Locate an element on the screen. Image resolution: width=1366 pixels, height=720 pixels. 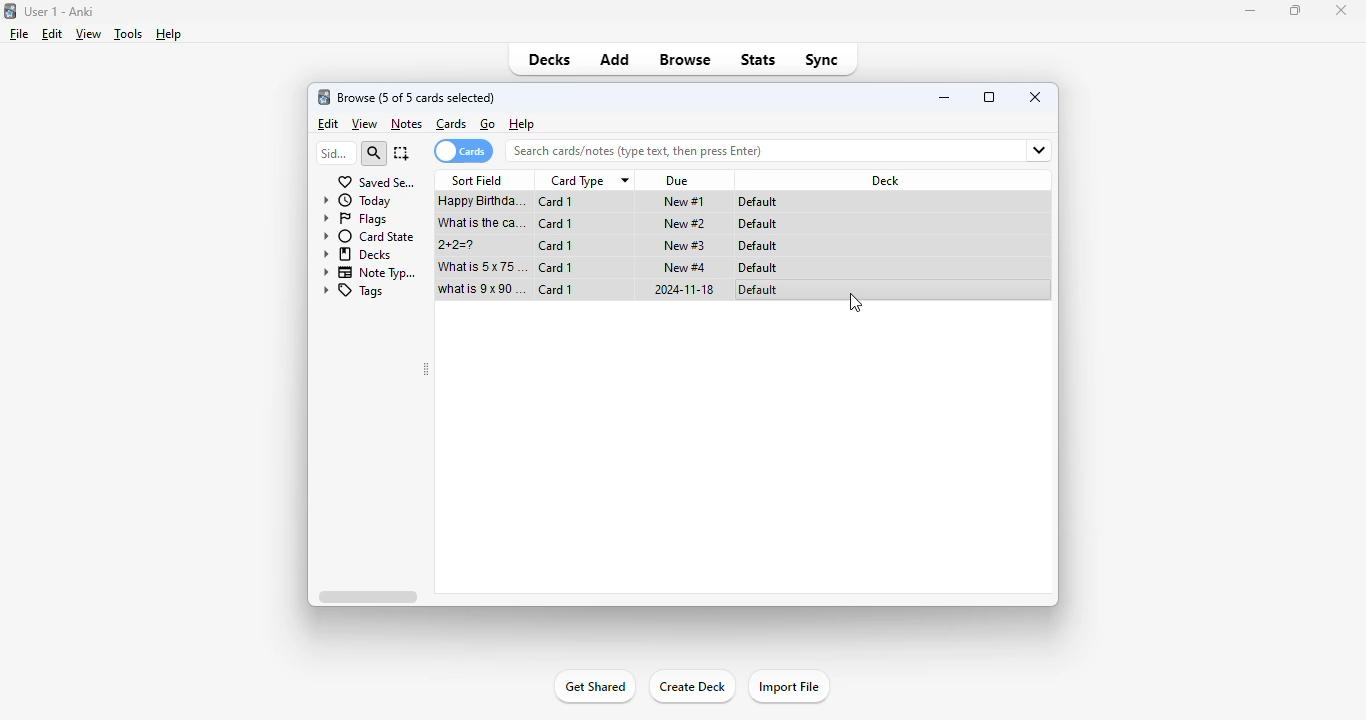
search is located at coordinates (373, 154).